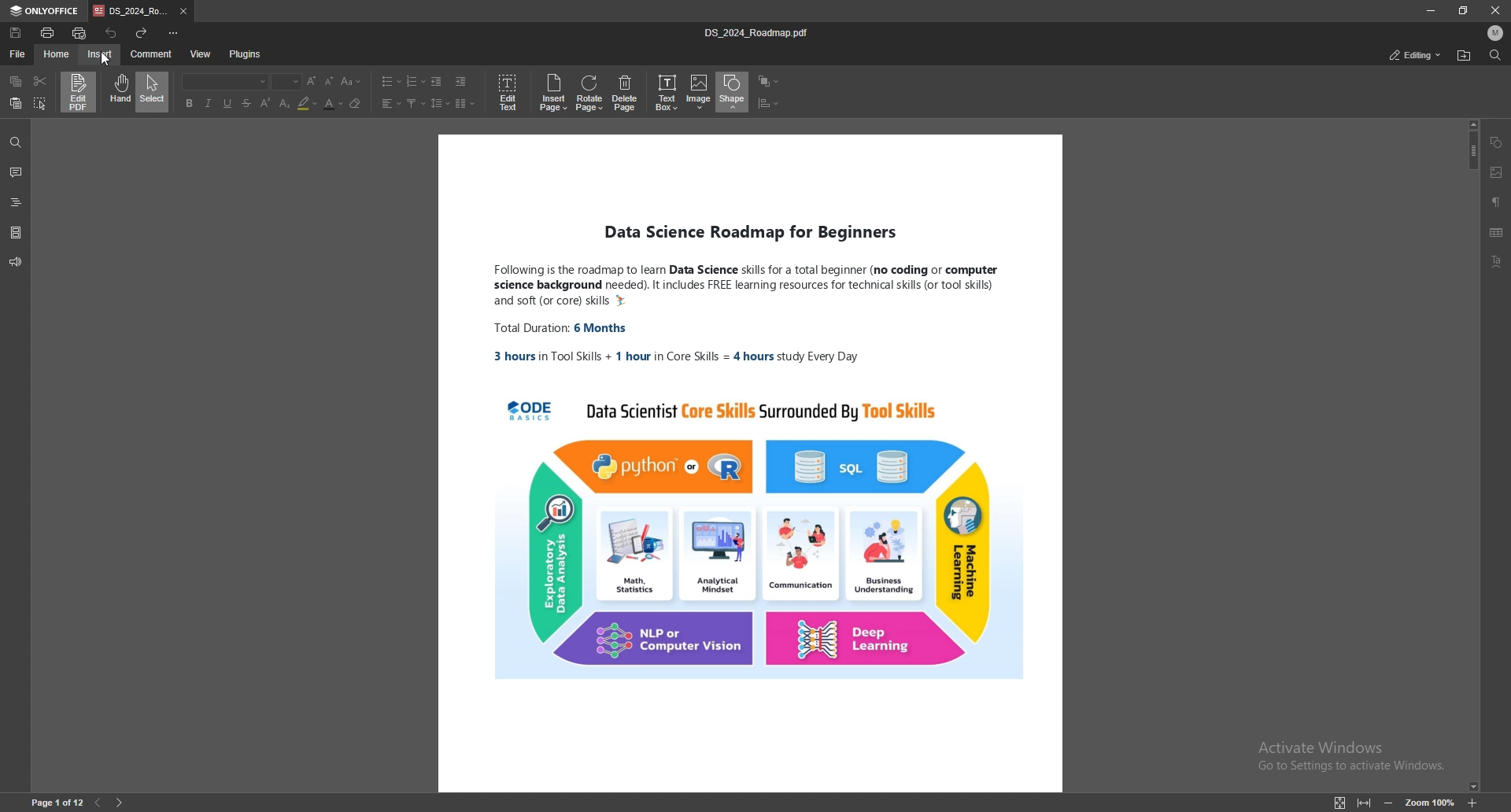 The image size is (1511, 812). What do you see at coordinates (441, 103) in the screenshot?
I see `line space` at bounding box center [441, 103].